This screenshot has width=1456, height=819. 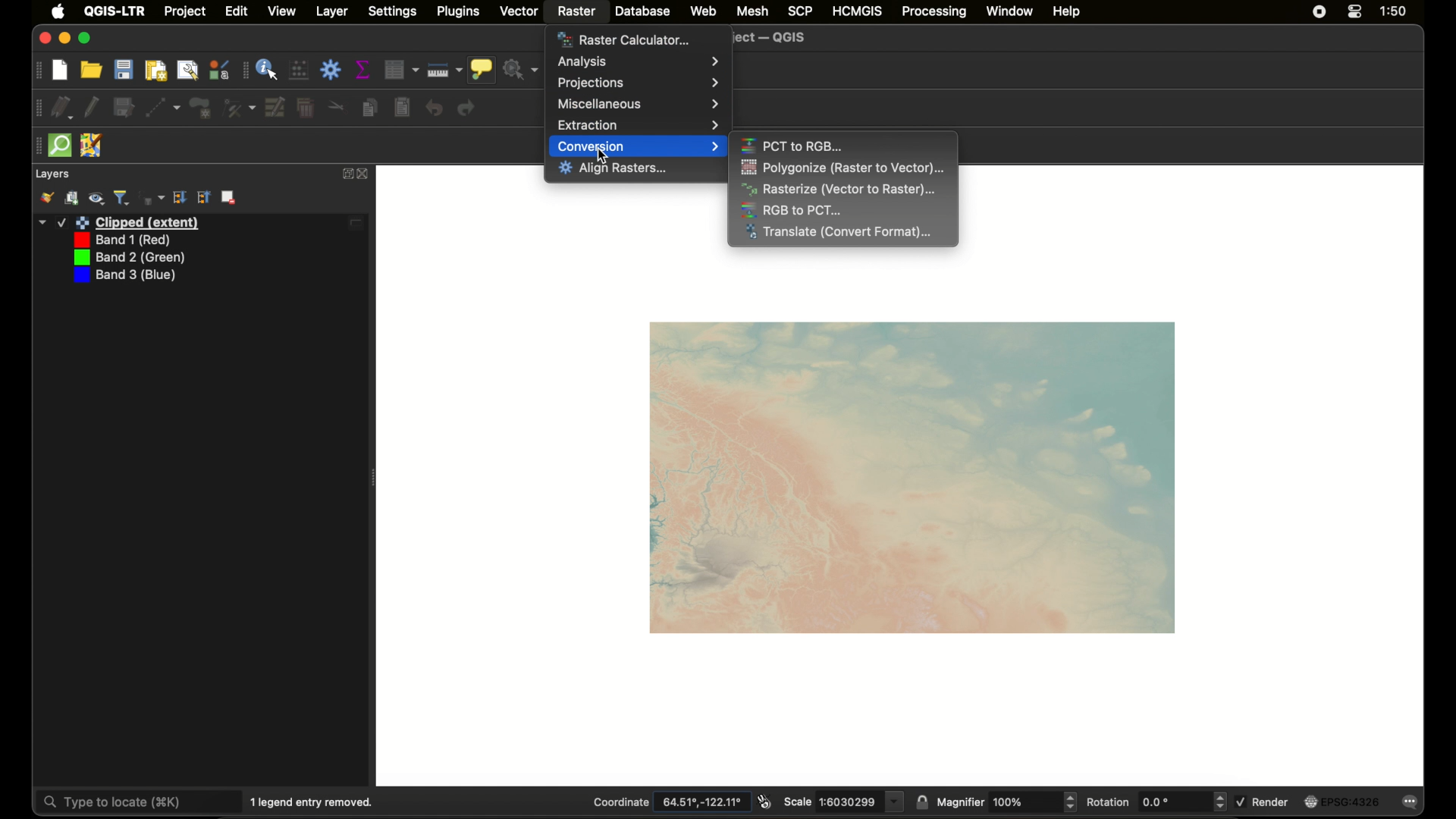 I want to click on 1 legend entry removed, so click(x=315, y=802).